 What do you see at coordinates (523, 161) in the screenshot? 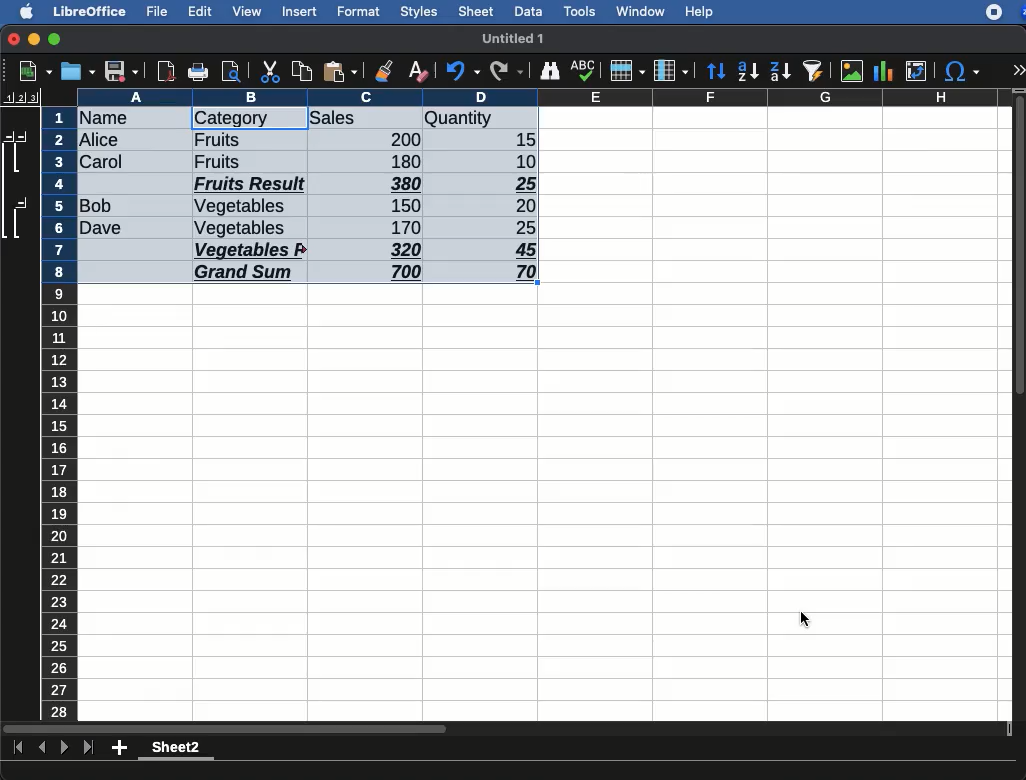
I see `10` at bounding box center [523, 161].